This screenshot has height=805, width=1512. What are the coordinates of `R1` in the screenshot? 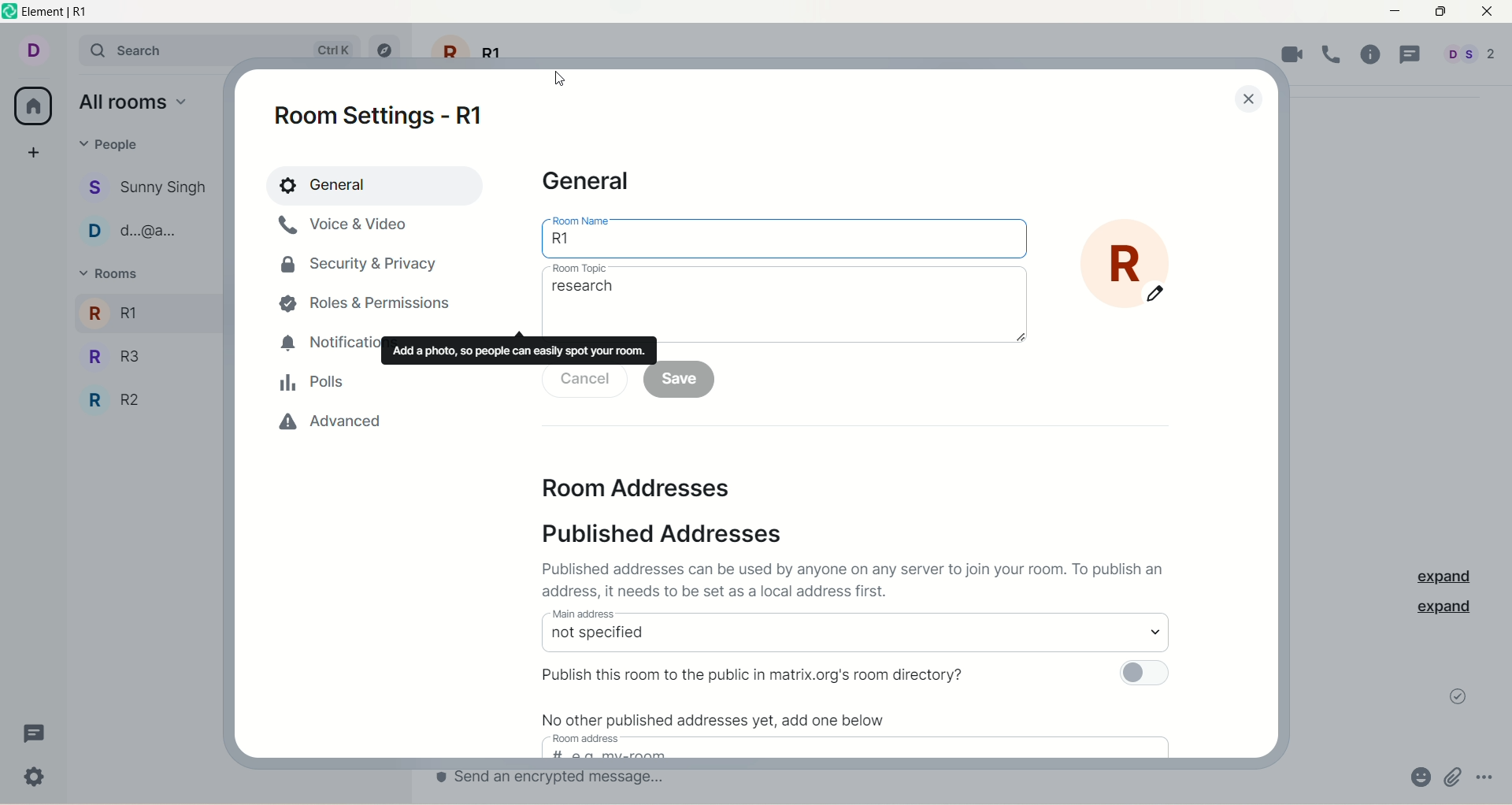 It's located at (115, 312).